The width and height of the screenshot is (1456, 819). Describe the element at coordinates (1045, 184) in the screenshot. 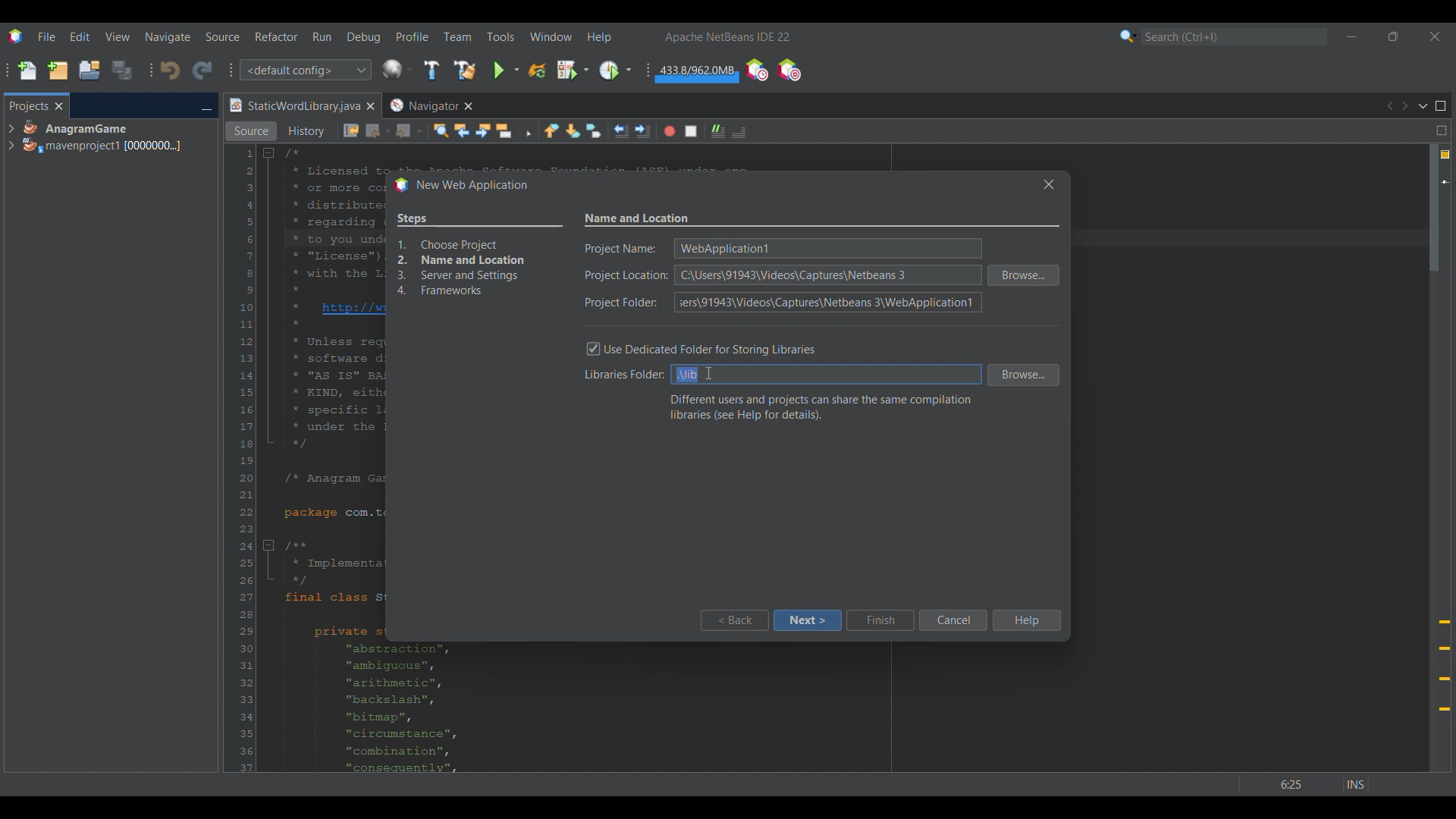

I see `` at that location.